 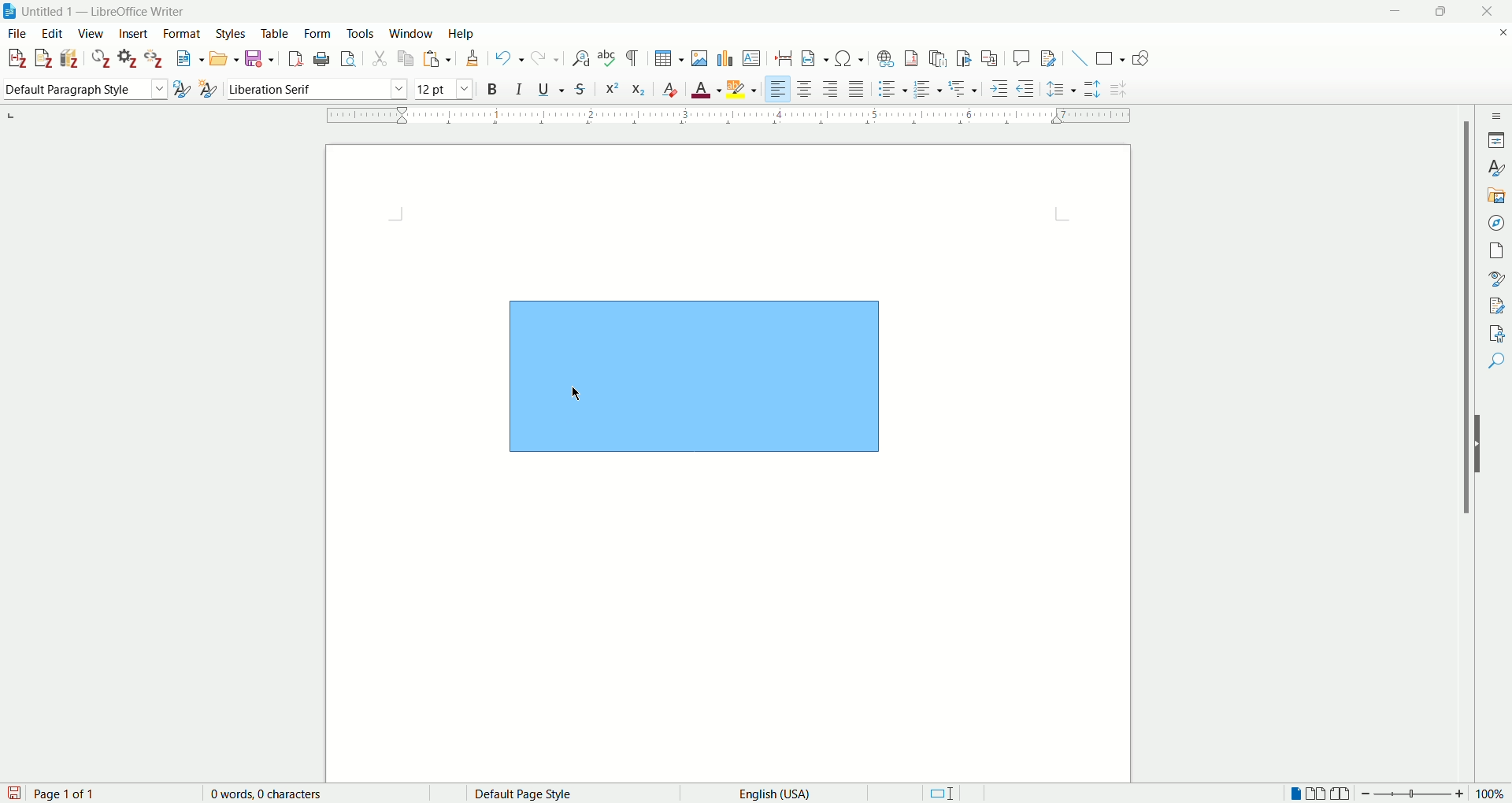 What do you see at coordinates (535, 792) in the screenshot?
I see `Default page style` at bounding box center [535, 792].